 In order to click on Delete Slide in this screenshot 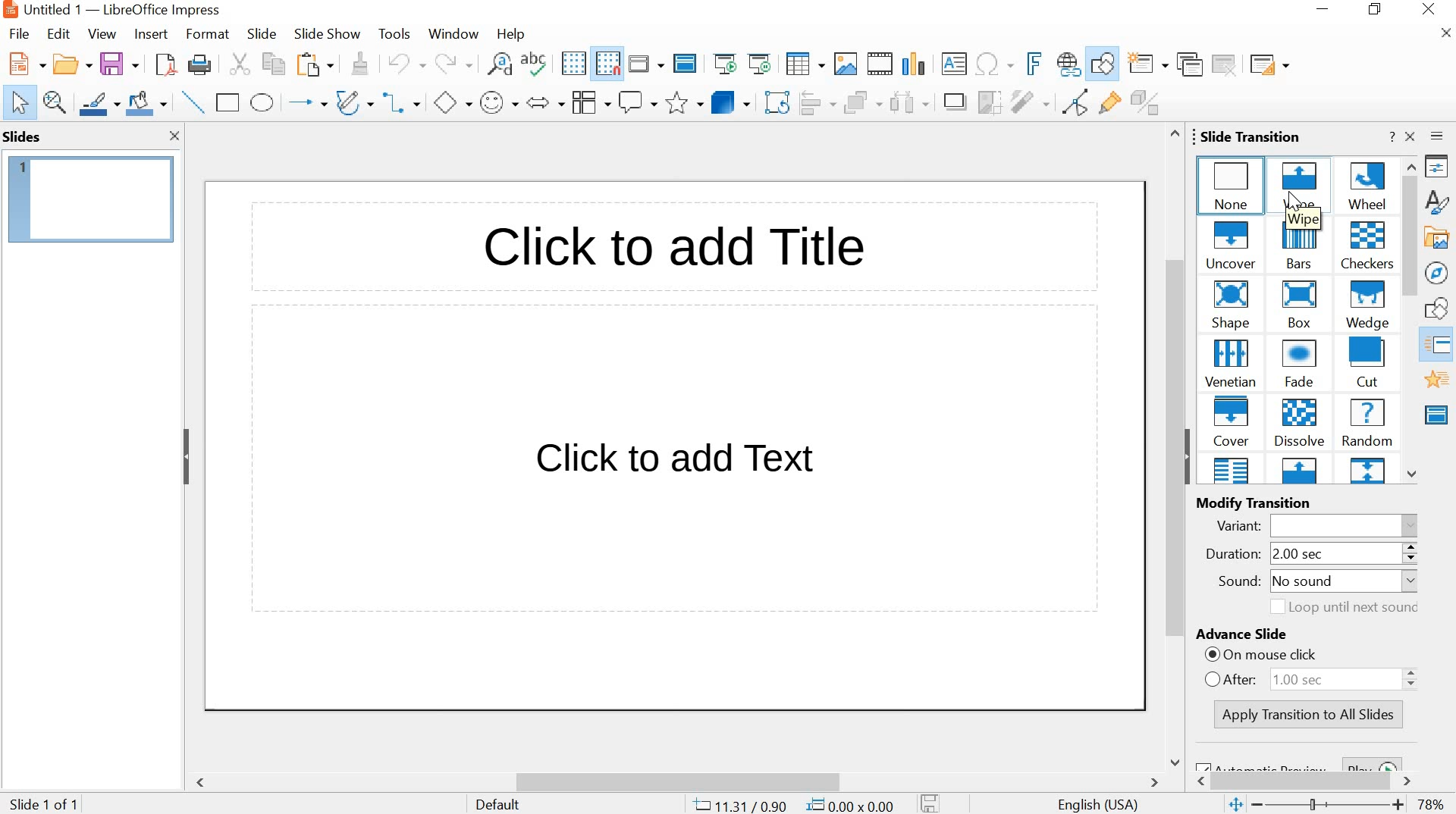, I will do `click(1227, 64)`.